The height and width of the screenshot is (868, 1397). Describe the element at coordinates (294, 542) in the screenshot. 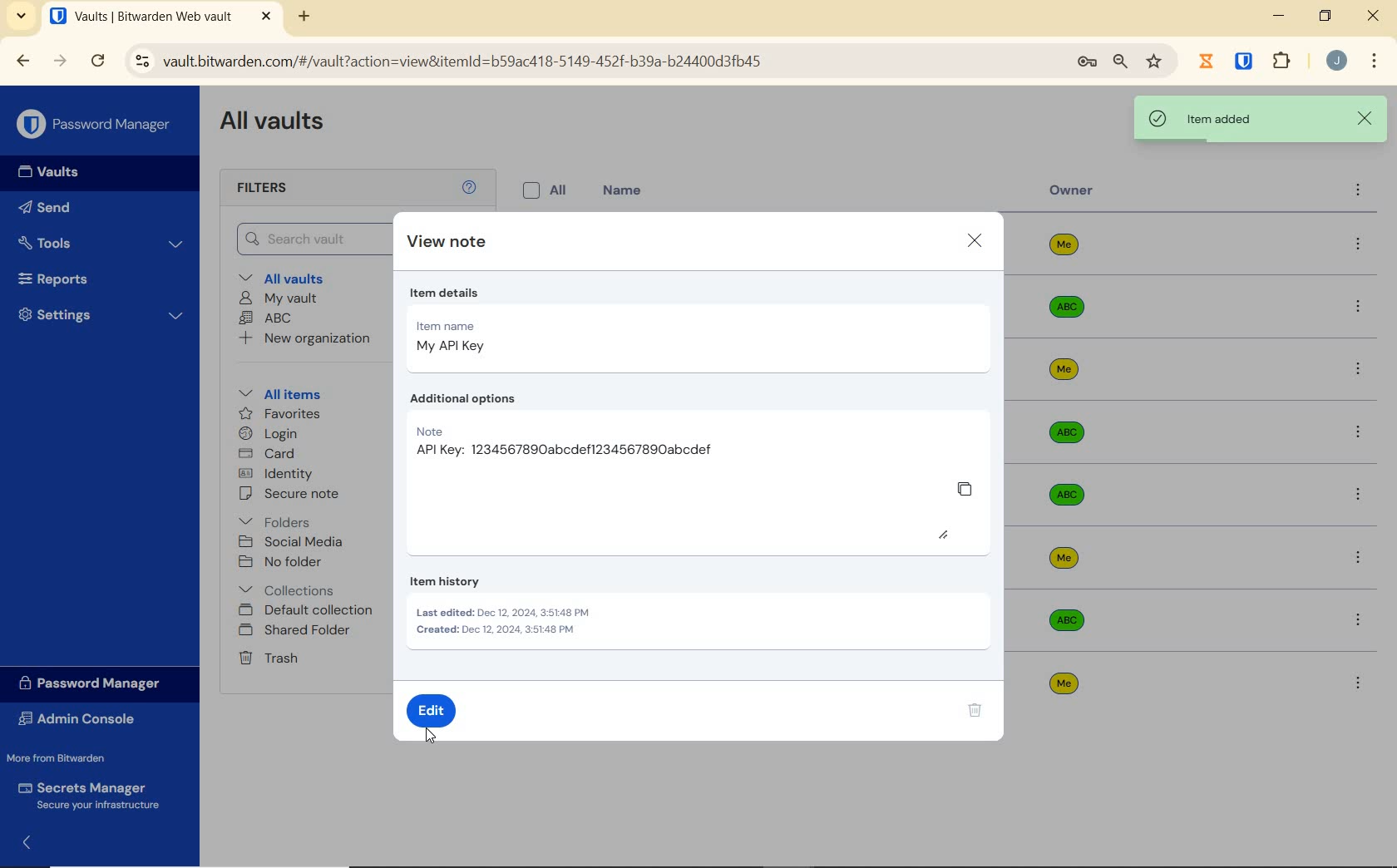

I see `SOCIAL MEDIA` at that location.